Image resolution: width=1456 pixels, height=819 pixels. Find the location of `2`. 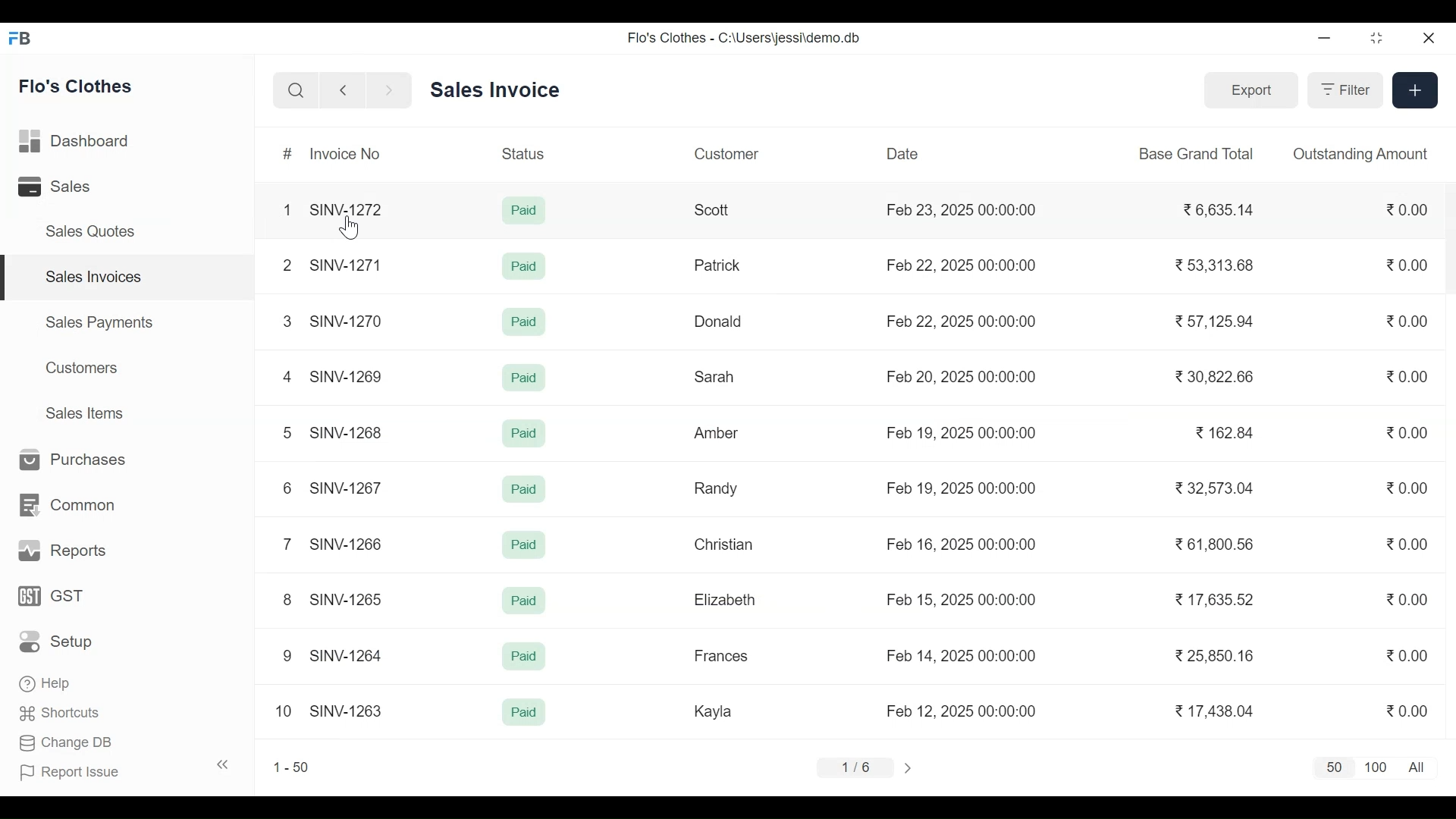

2 is located at coordinates (284, 264).